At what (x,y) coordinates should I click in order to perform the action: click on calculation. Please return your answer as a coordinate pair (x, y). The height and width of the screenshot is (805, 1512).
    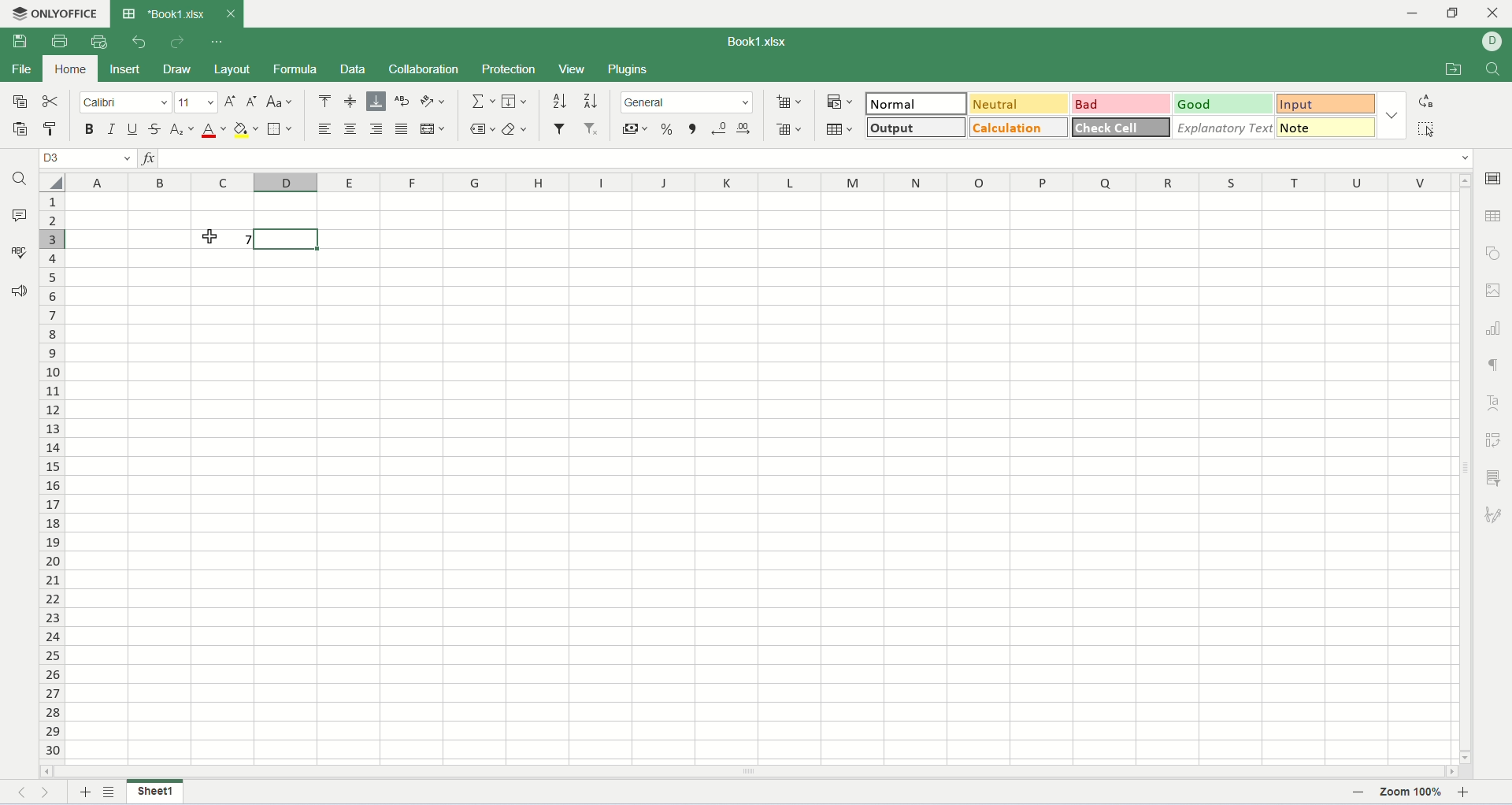
    Looking at the image, I should click on (1021, 127).